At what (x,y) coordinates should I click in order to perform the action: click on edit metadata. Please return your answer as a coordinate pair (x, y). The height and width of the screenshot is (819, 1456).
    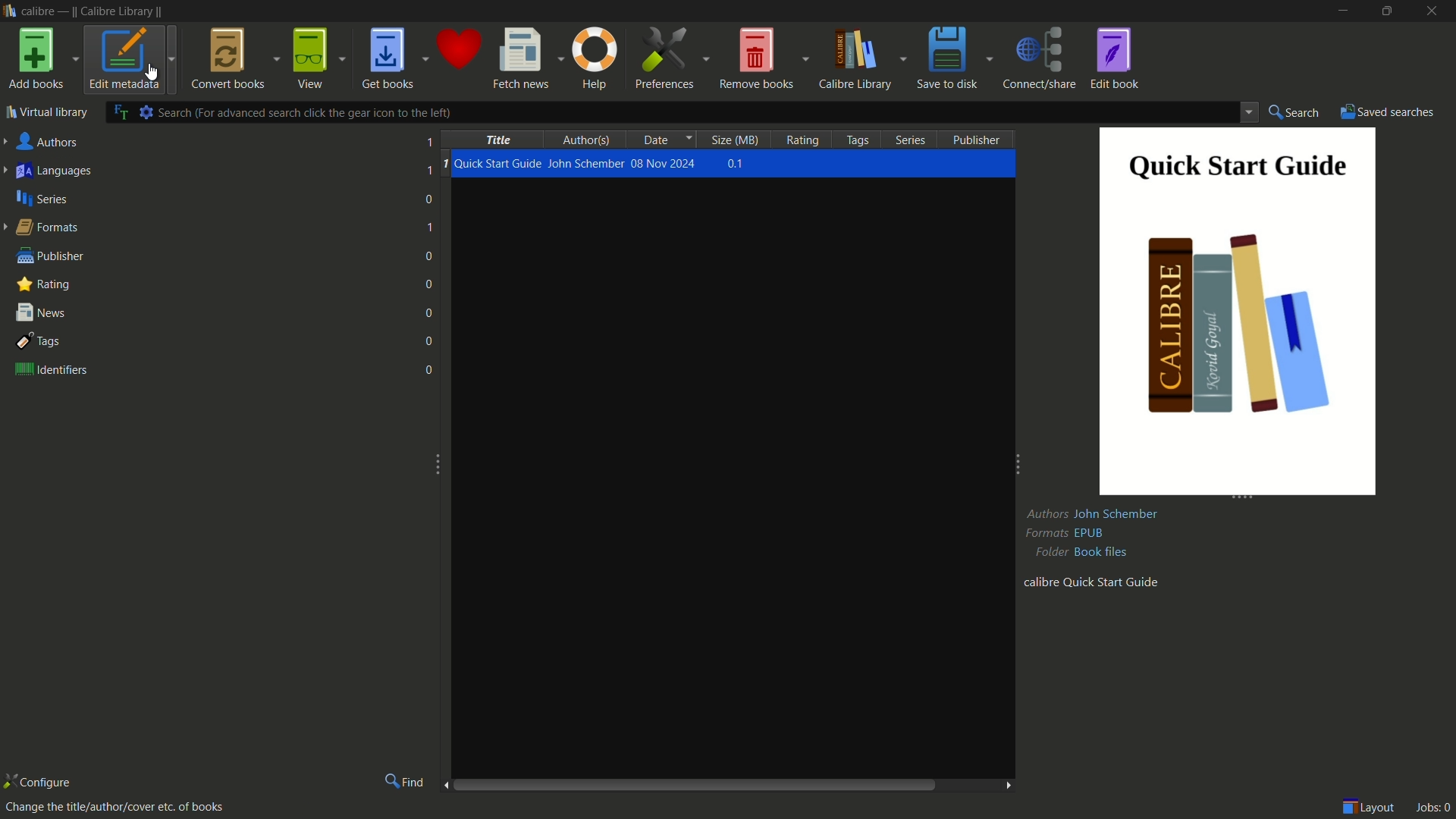
    Looking at the image, I should click on (133, 58).